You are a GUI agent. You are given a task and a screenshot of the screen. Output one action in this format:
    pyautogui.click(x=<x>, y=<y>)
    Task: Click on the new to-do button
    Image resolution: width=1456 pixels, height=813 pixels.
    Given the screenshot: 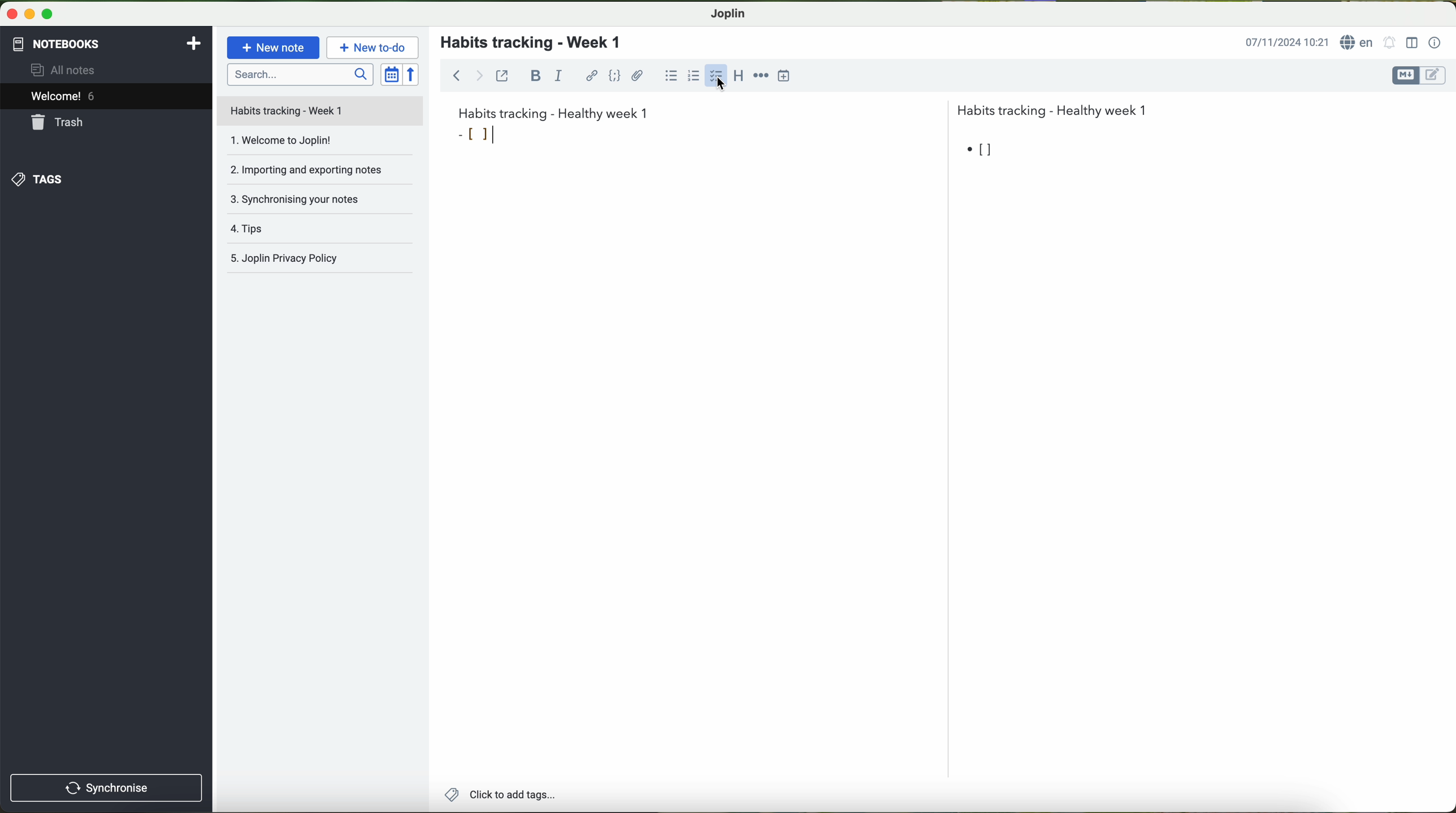 What is the action you would take?
    pyautogui.click(x=372, y=47)
    